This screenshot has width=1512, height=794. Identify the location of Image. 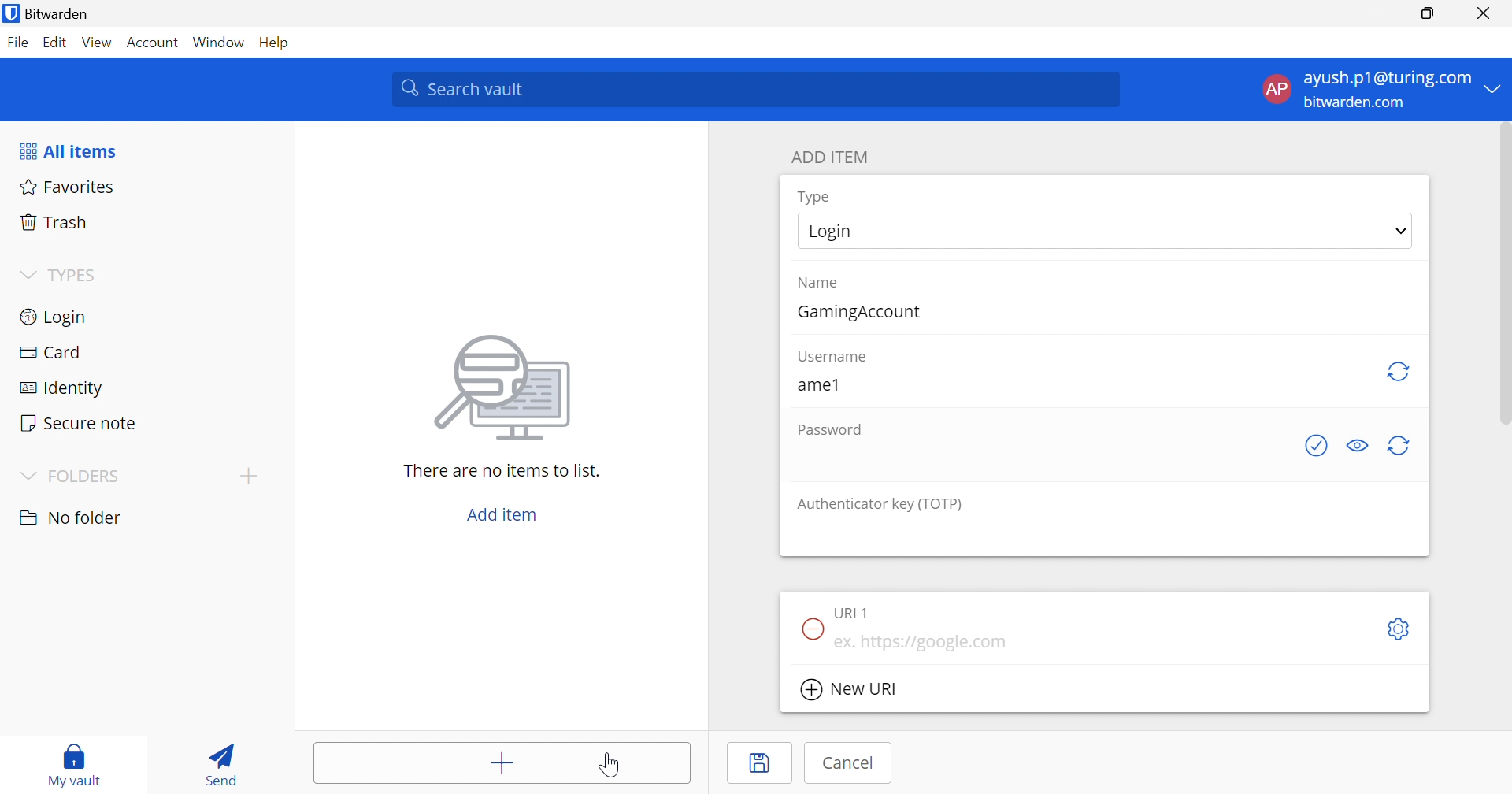
(506, 387).